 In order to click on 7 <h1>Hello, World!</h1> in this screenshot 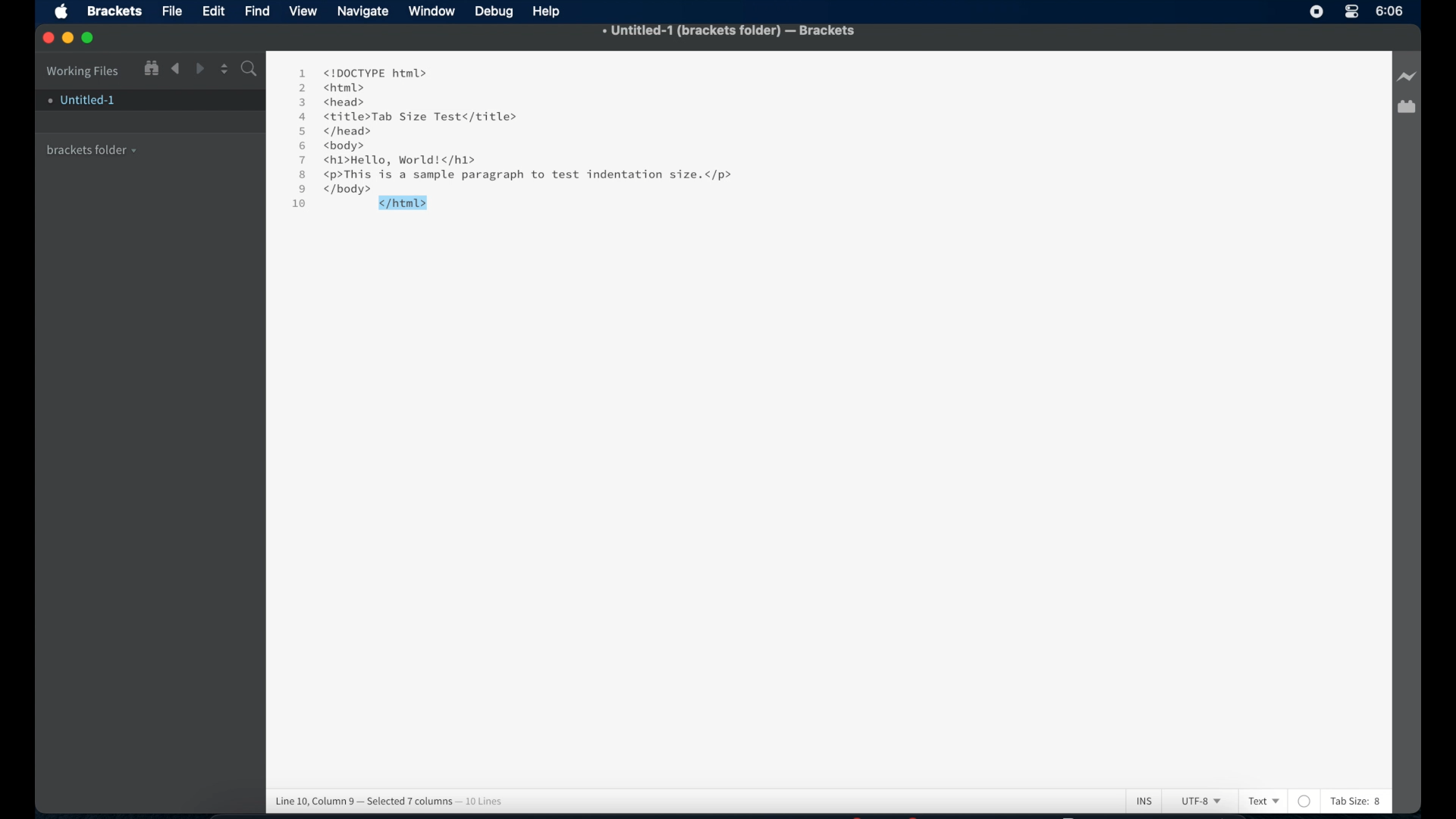, I will do `click(390, 160)`.